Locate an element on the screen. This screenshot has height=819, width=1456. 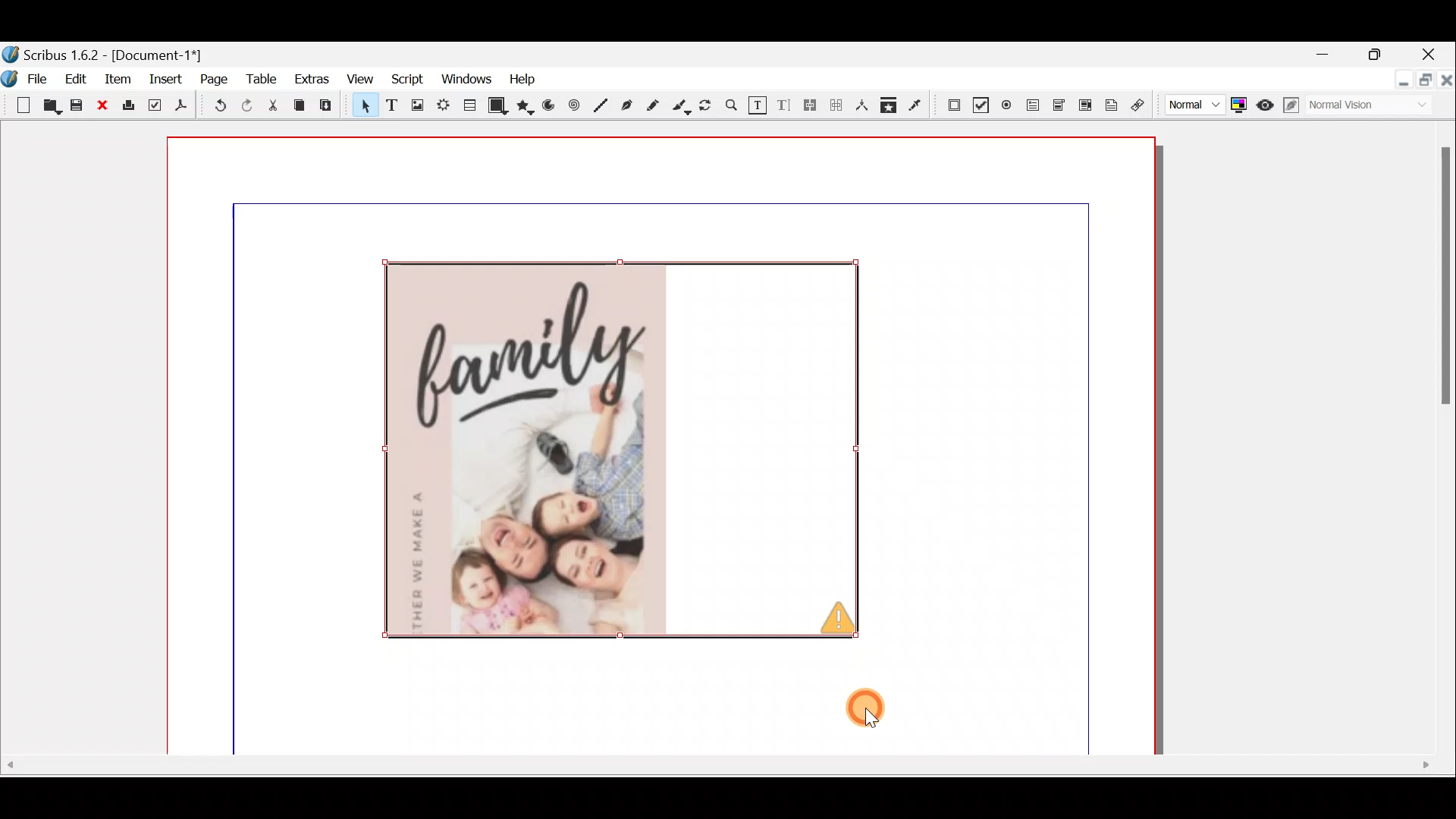
Calligraphic line is located at coordinates (681, 107).